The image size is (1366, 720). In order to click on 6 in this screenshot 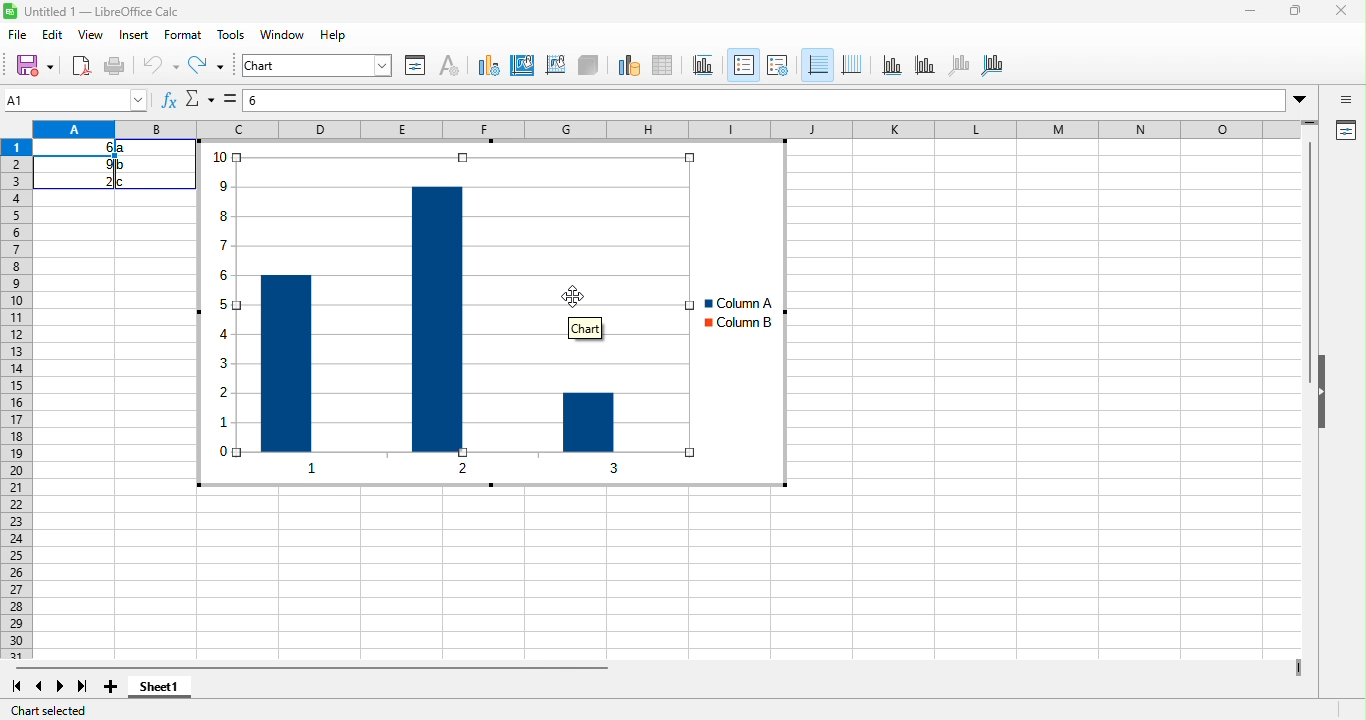, I will do `click(99, 147)`.